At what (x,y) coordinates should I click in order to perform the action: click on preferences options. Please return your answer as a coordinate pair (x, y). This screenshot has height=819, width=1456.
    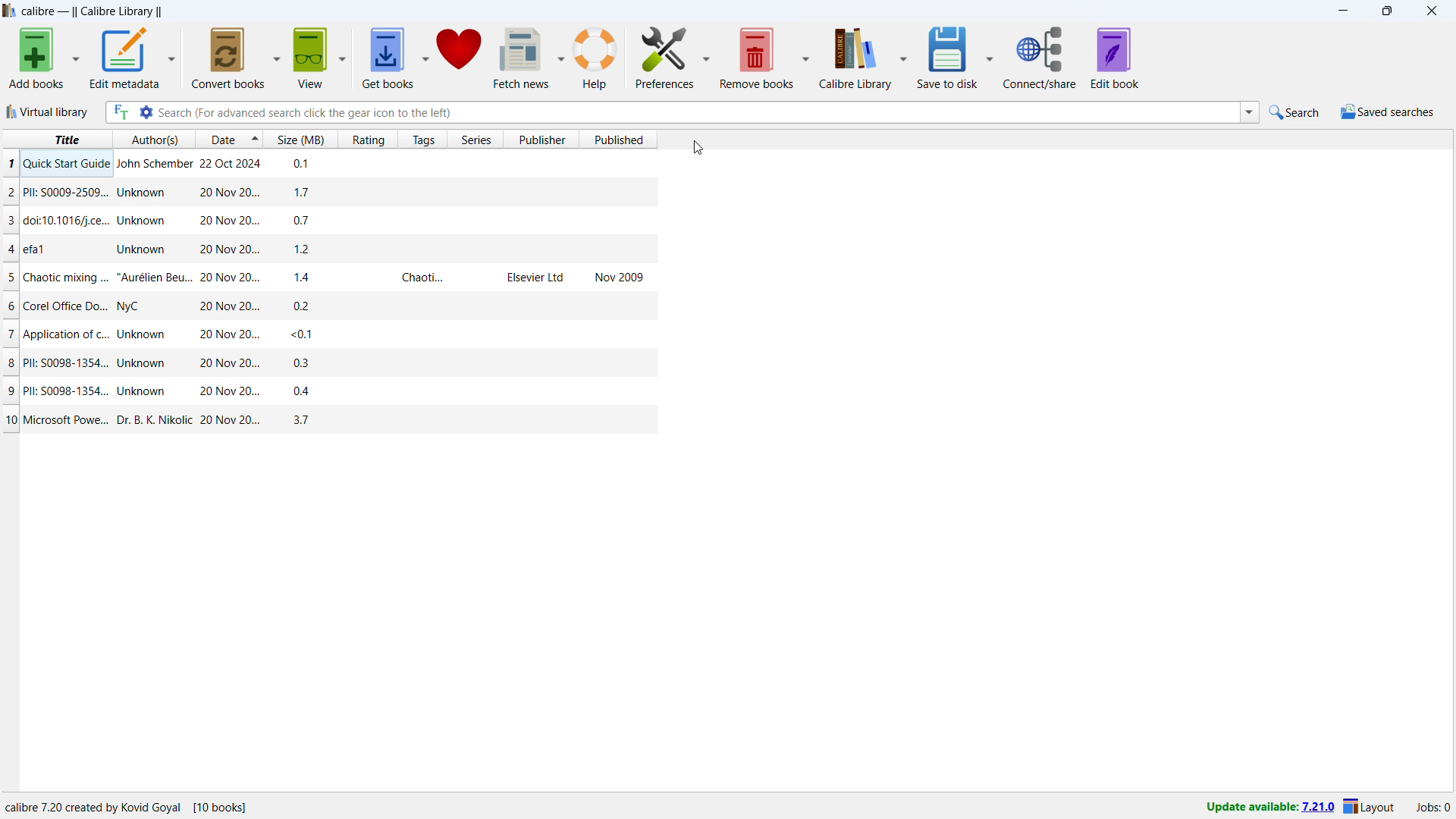
    Looking at the image, I should click on (707, 56).